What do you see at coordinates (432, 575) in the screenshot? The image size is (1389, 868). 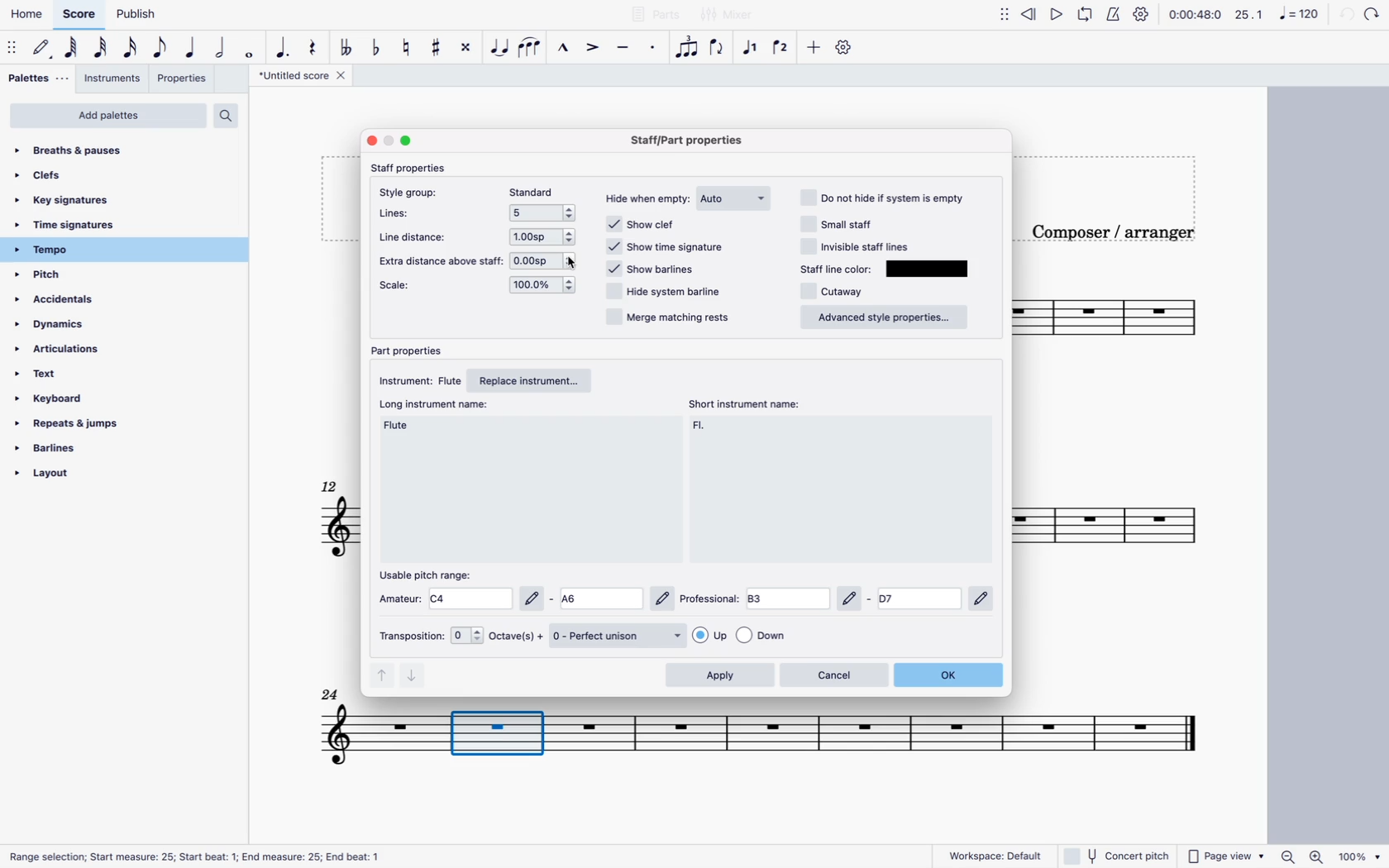 I see `usable pitch range` at bounding box center [432, 575].